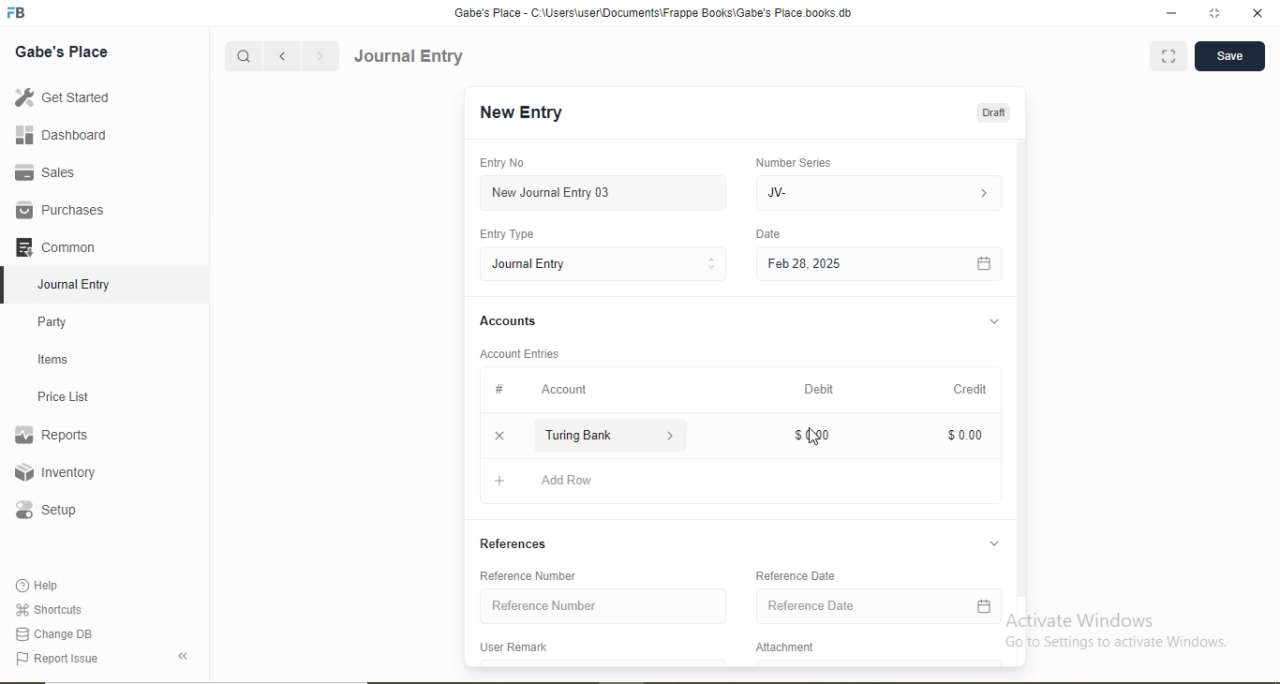  What do you see at coordinates (182, 656) in the screenshot?
I see `Back` at bounding box center [182, 656].